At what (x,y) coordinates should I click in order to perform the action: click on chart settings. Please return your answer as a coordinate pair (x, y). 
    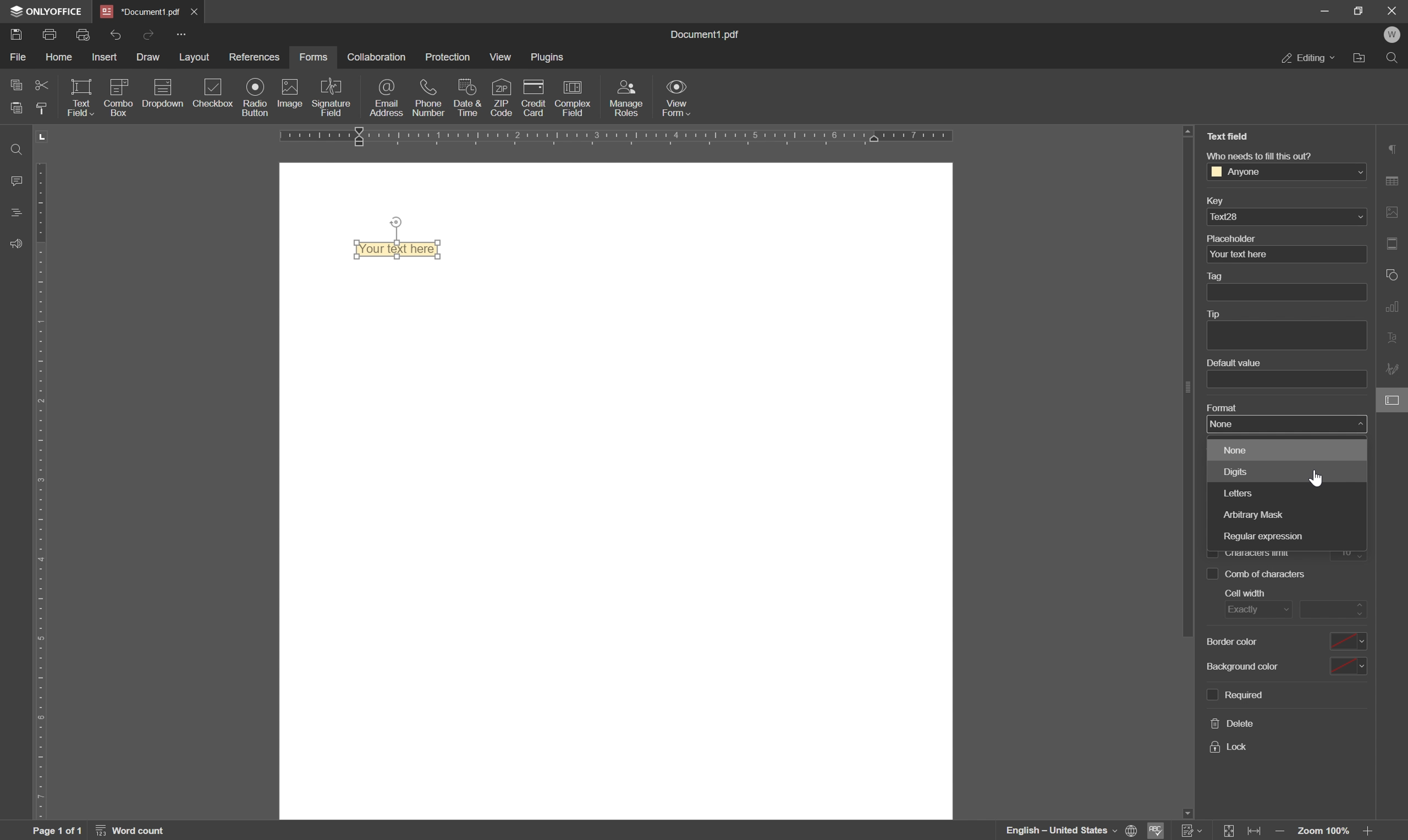
    Looking at the image, I should click on (1392, 306).